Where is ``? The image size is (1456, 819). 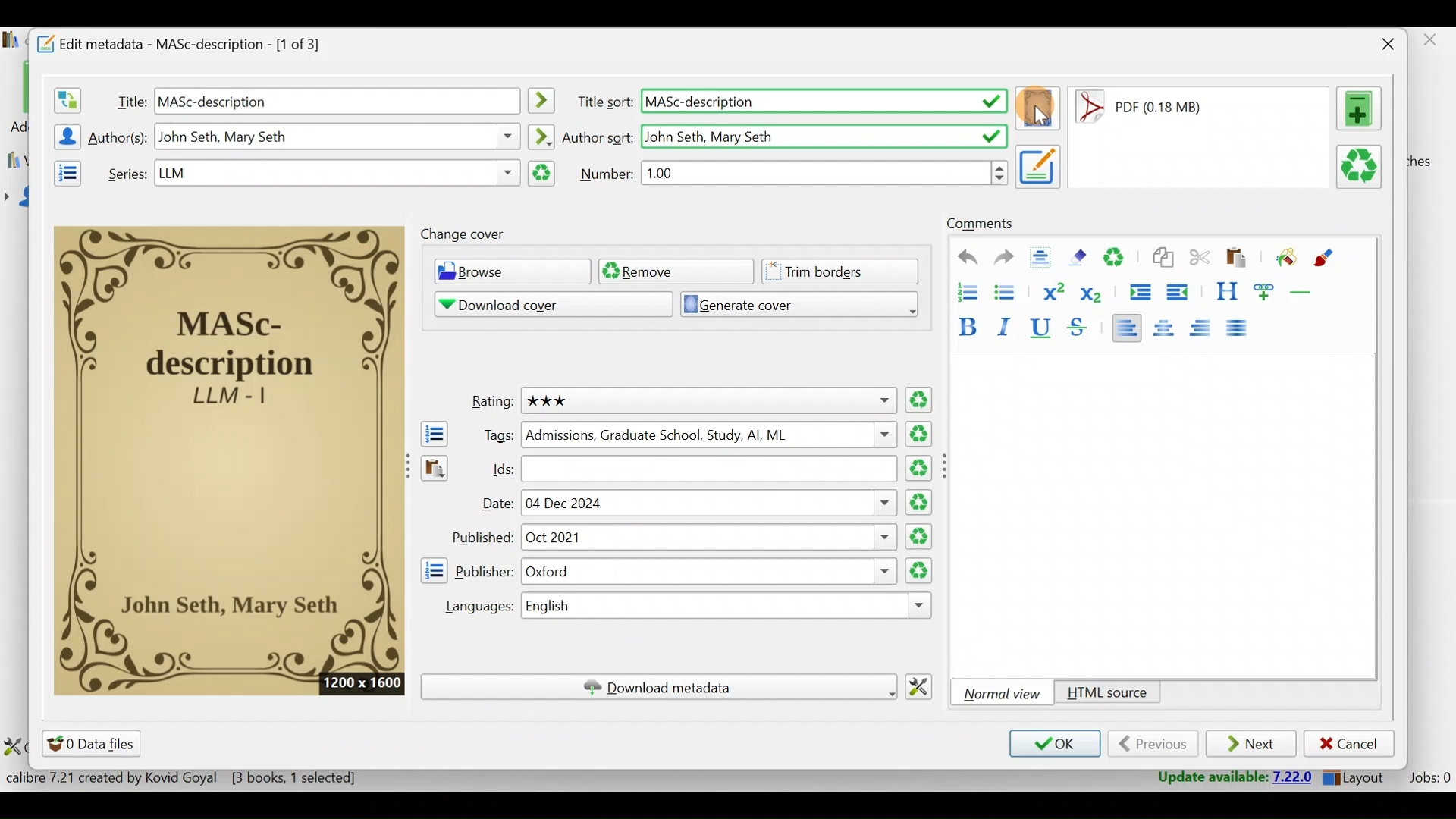  is located at coordinates (708, 572).